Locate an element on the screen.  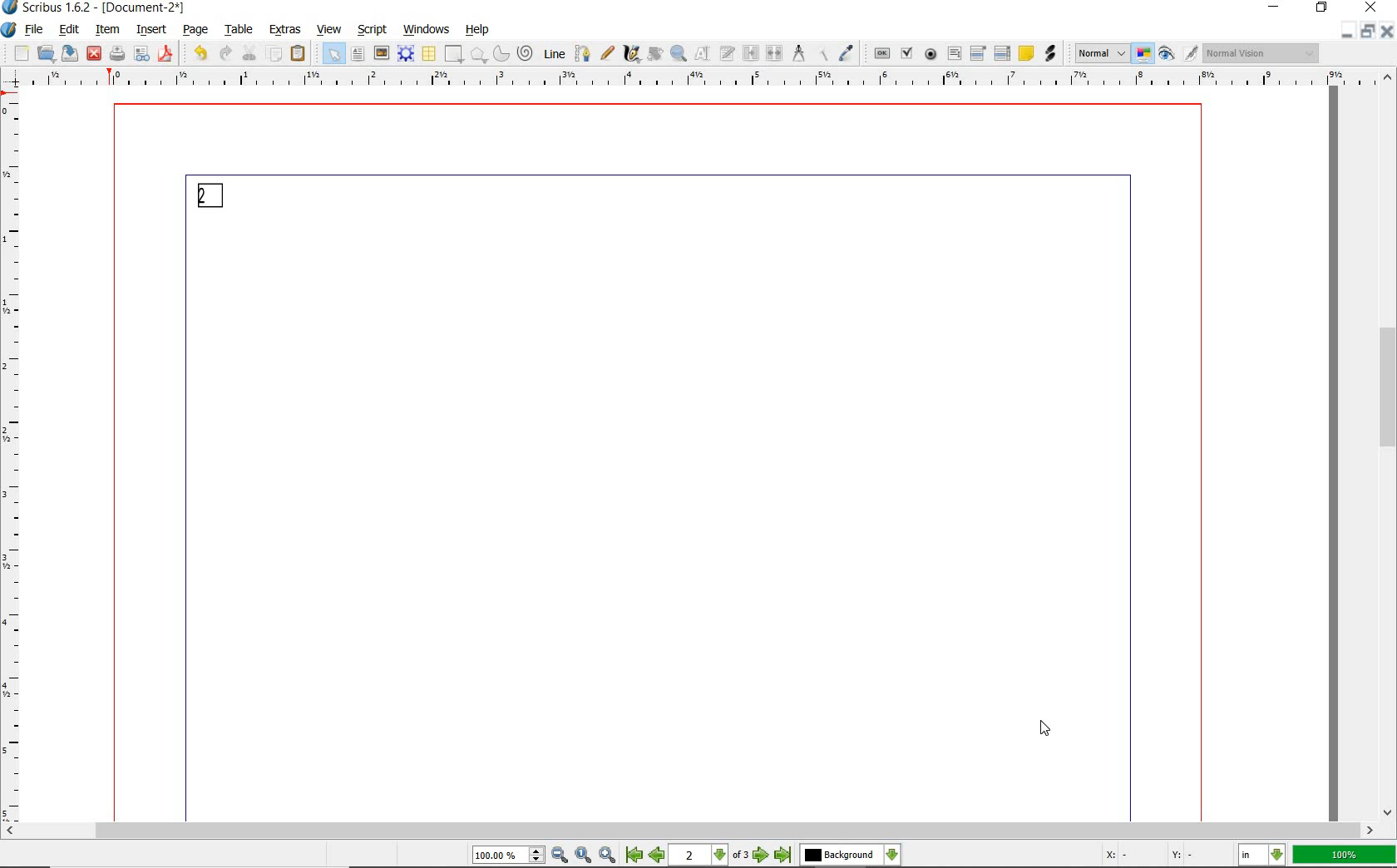
table is located at coordinates (428, 54).